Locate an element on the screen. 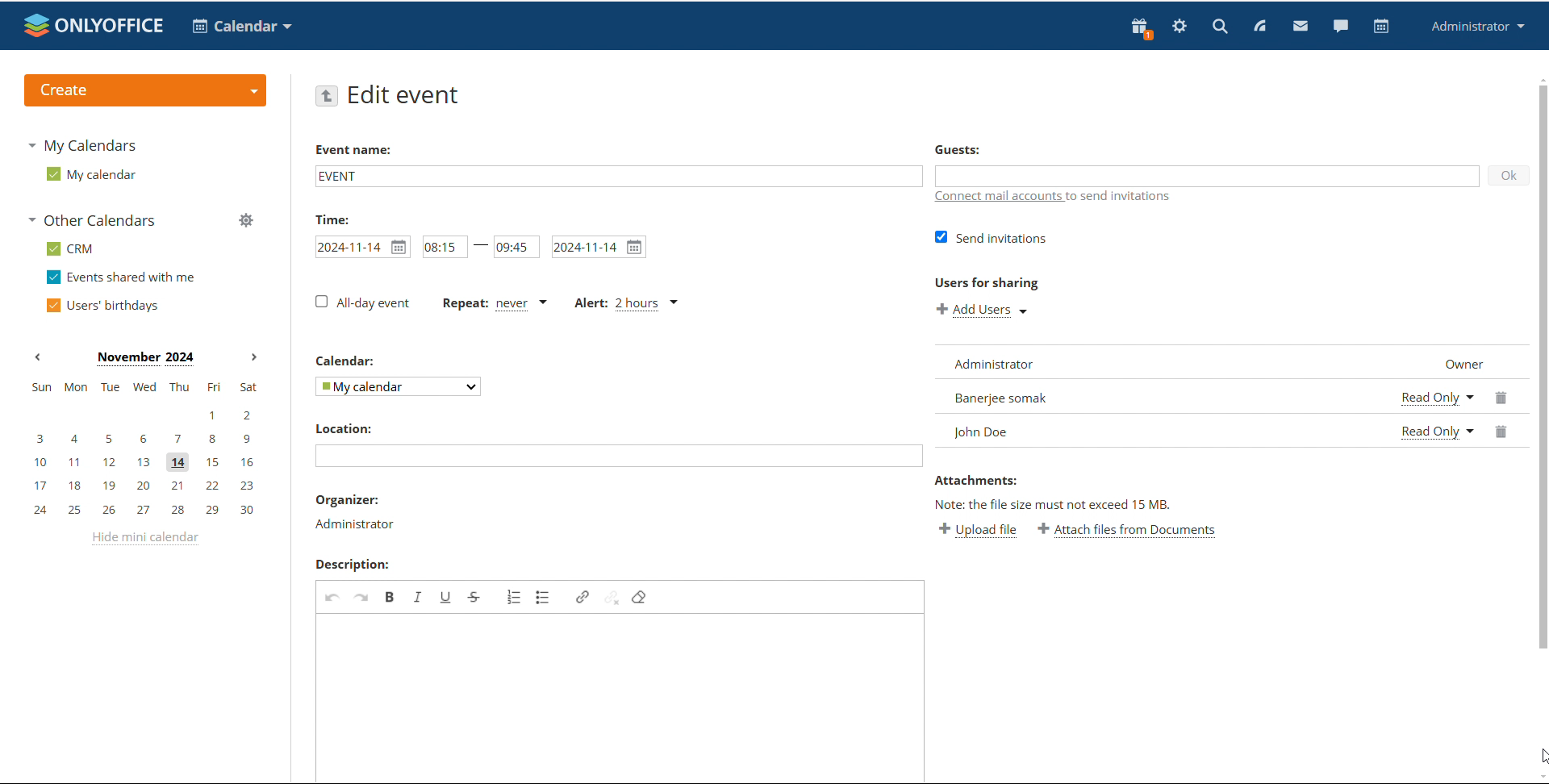 The height and width of the screenshot is (784, 1549). scroll down is located at coordinates (1539, 775).